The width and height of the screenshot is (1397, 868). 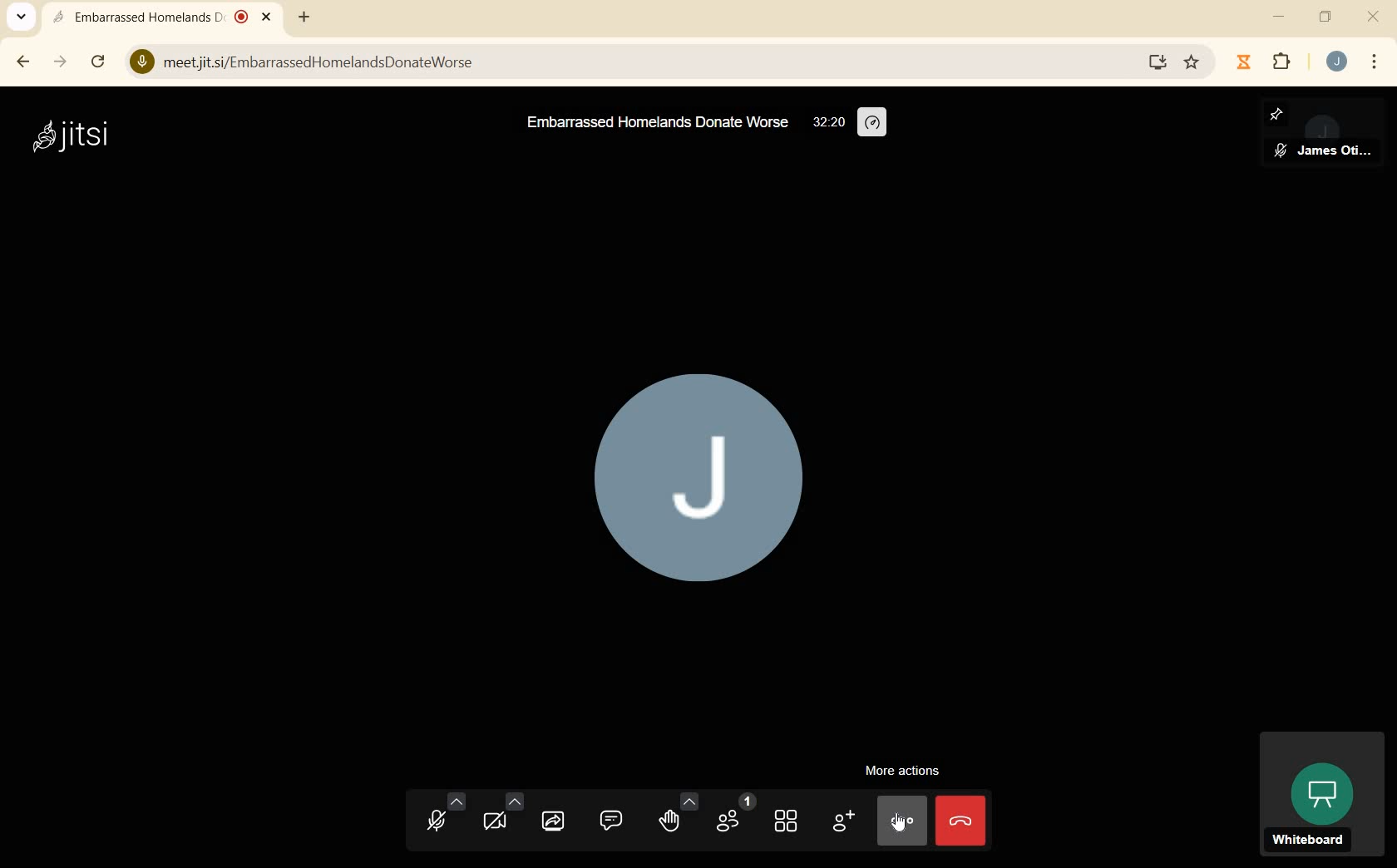 I want to click on back, so click(x=22, y=61).